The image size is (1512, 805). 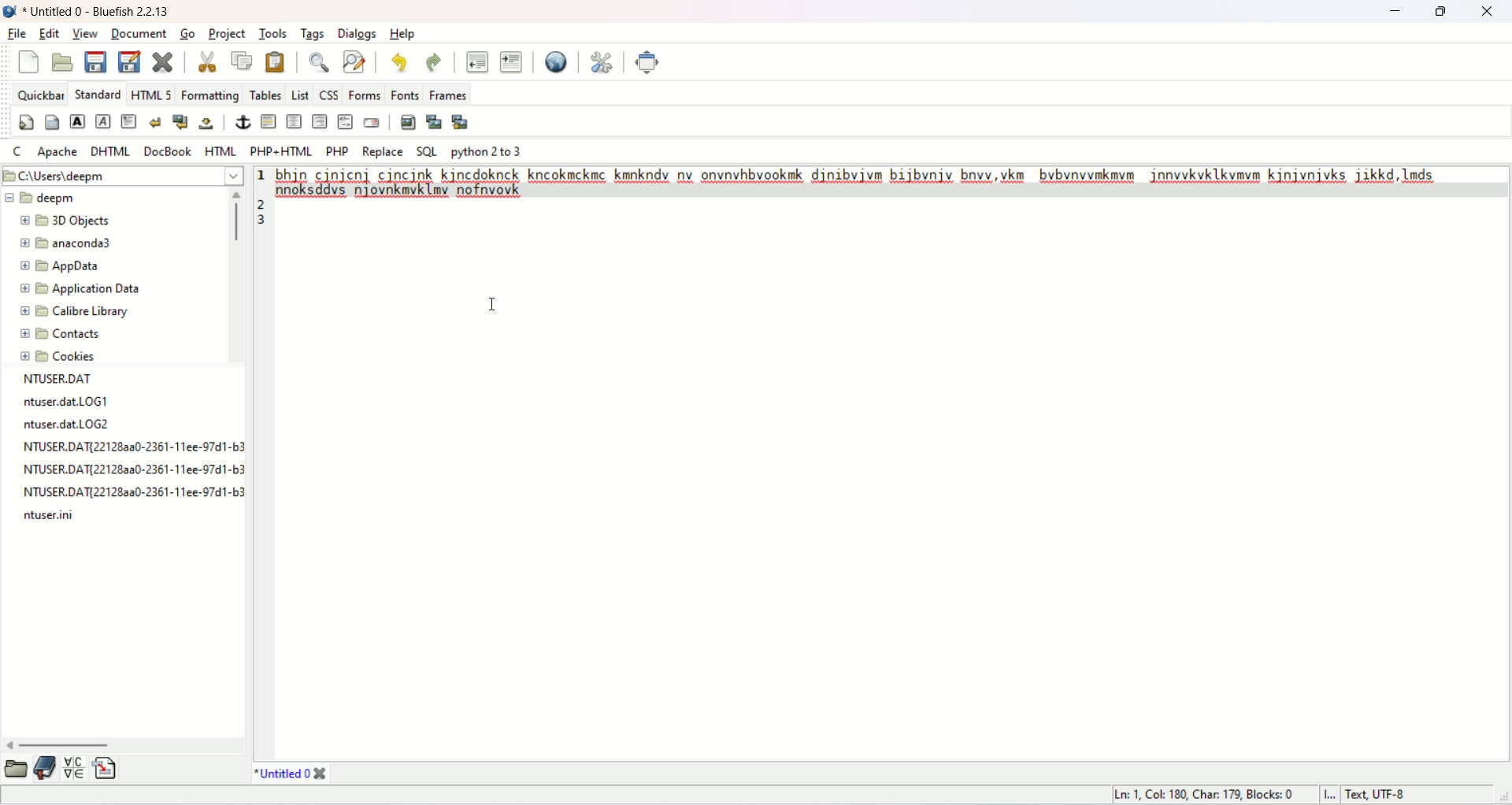 I want to click on break and clear, so click(x=182, y=121).